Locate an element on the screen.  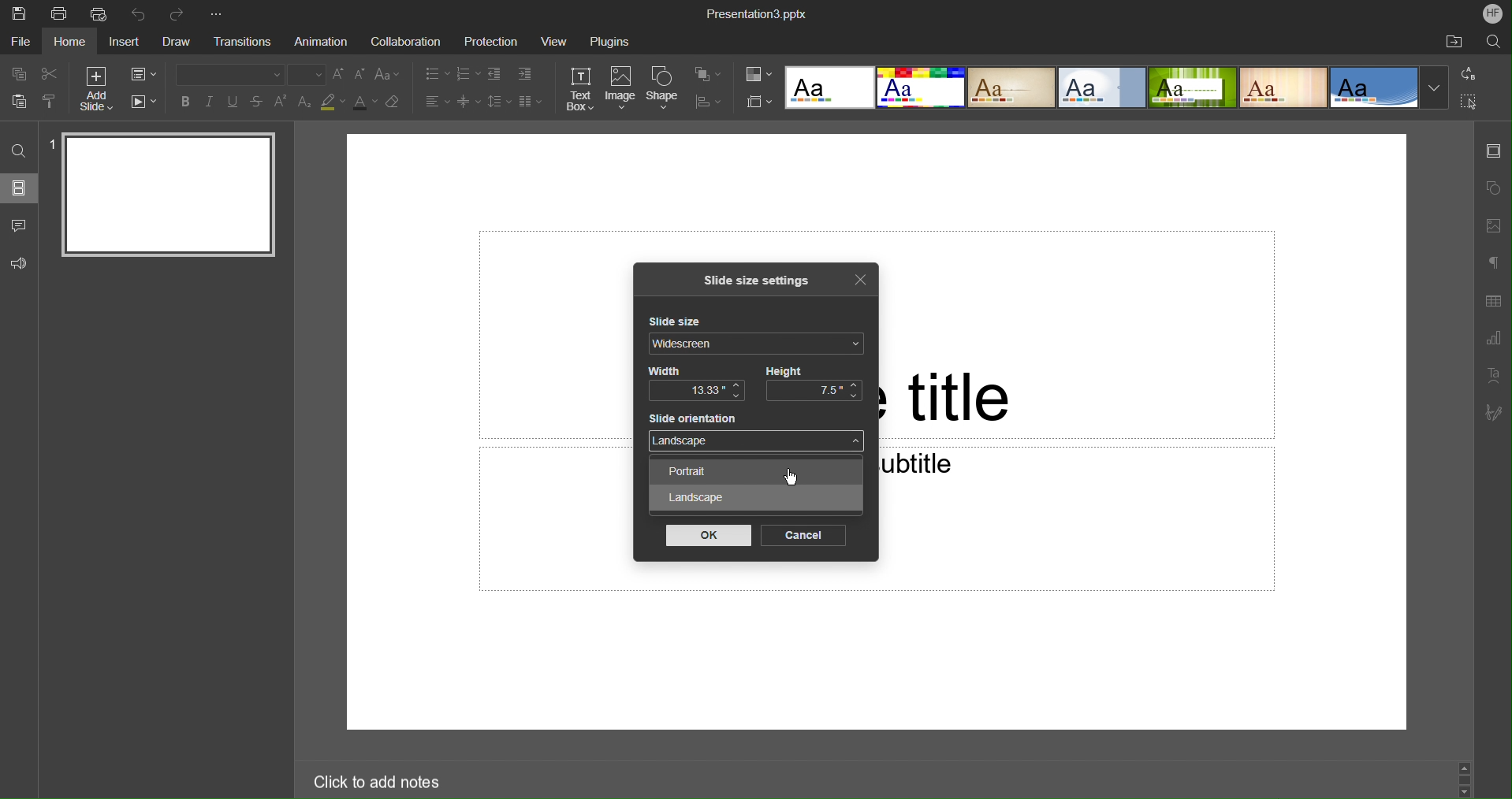
Add Slide is located at coordinates (94, 88).